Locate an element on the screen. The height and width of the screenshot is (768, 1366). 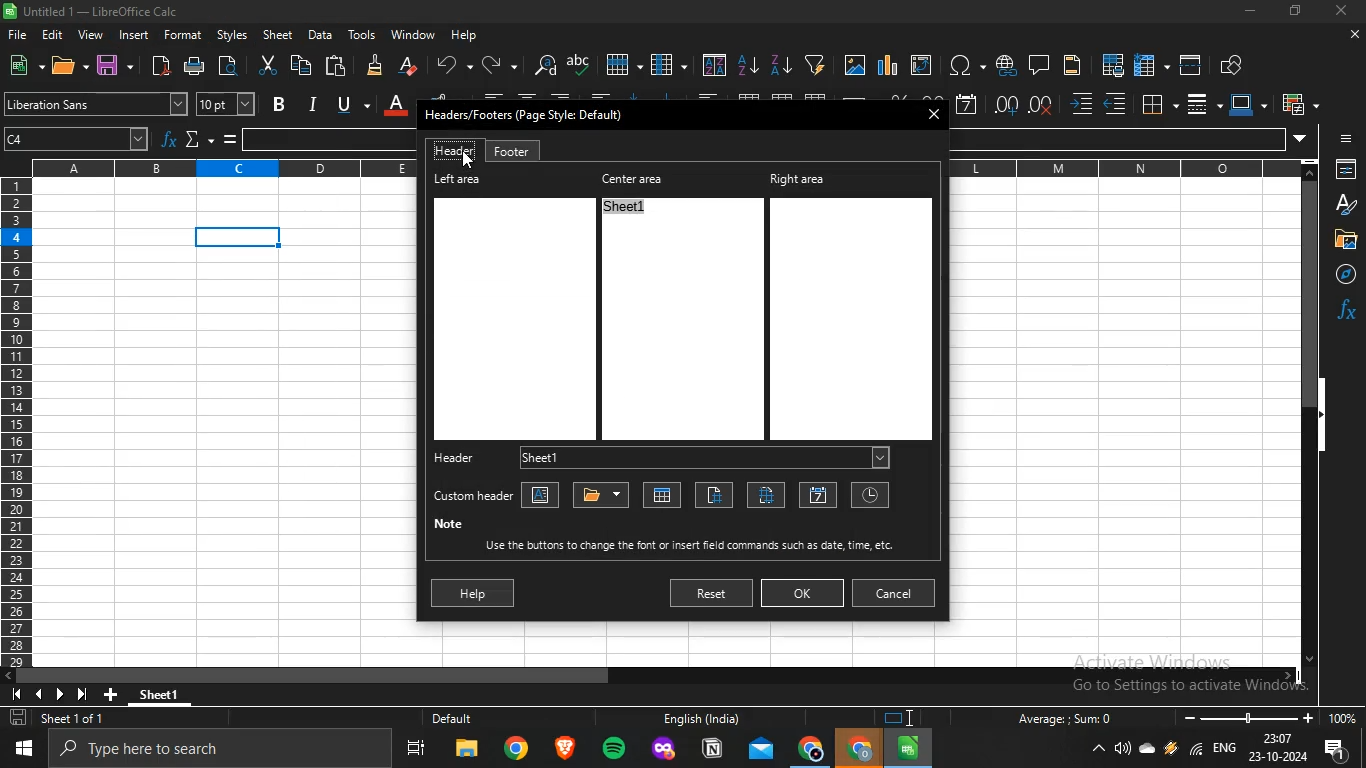
icon is located at coordinates (55, 693).